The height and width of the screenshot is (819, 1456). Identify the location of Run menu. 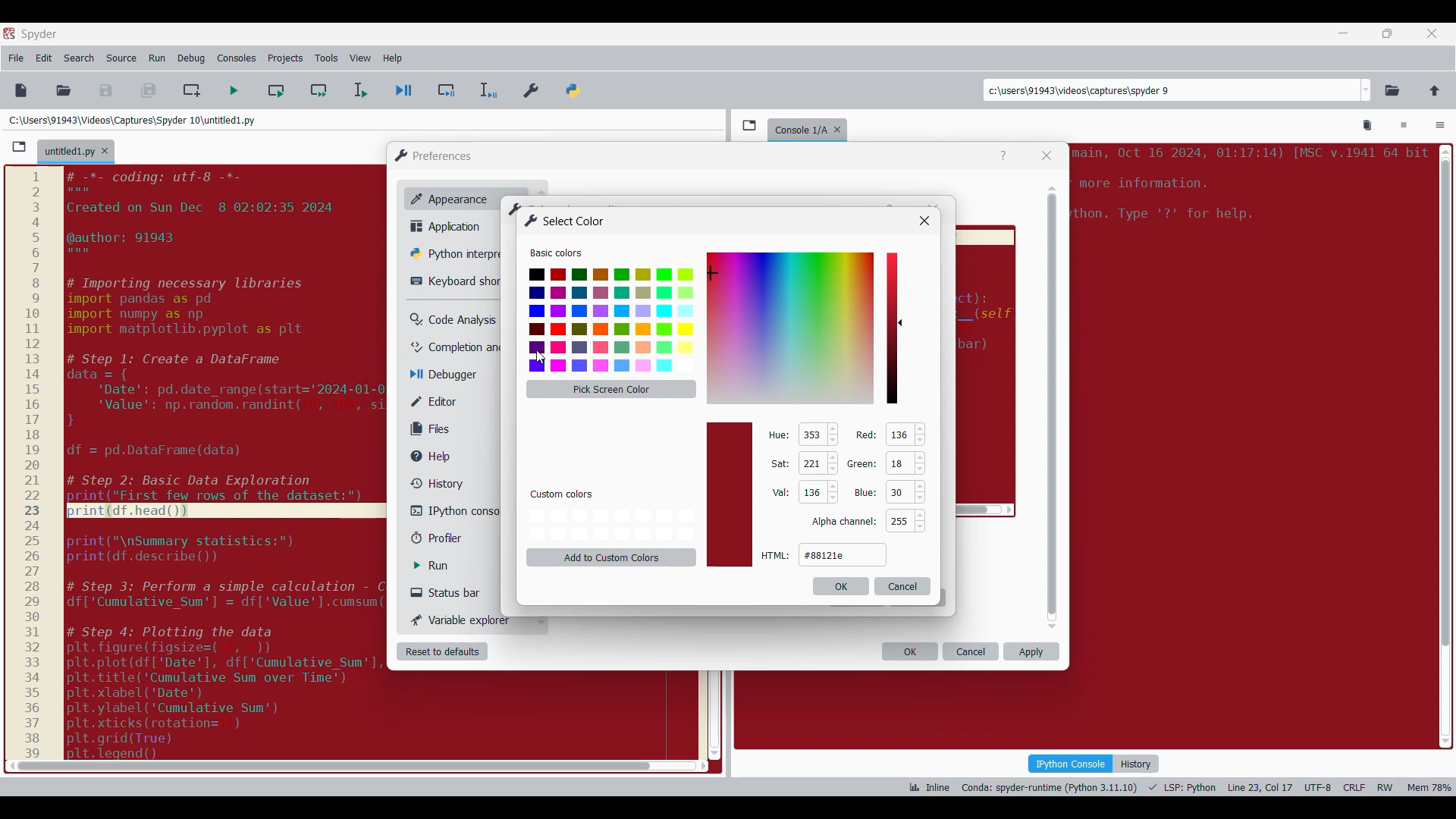
(157, 58).